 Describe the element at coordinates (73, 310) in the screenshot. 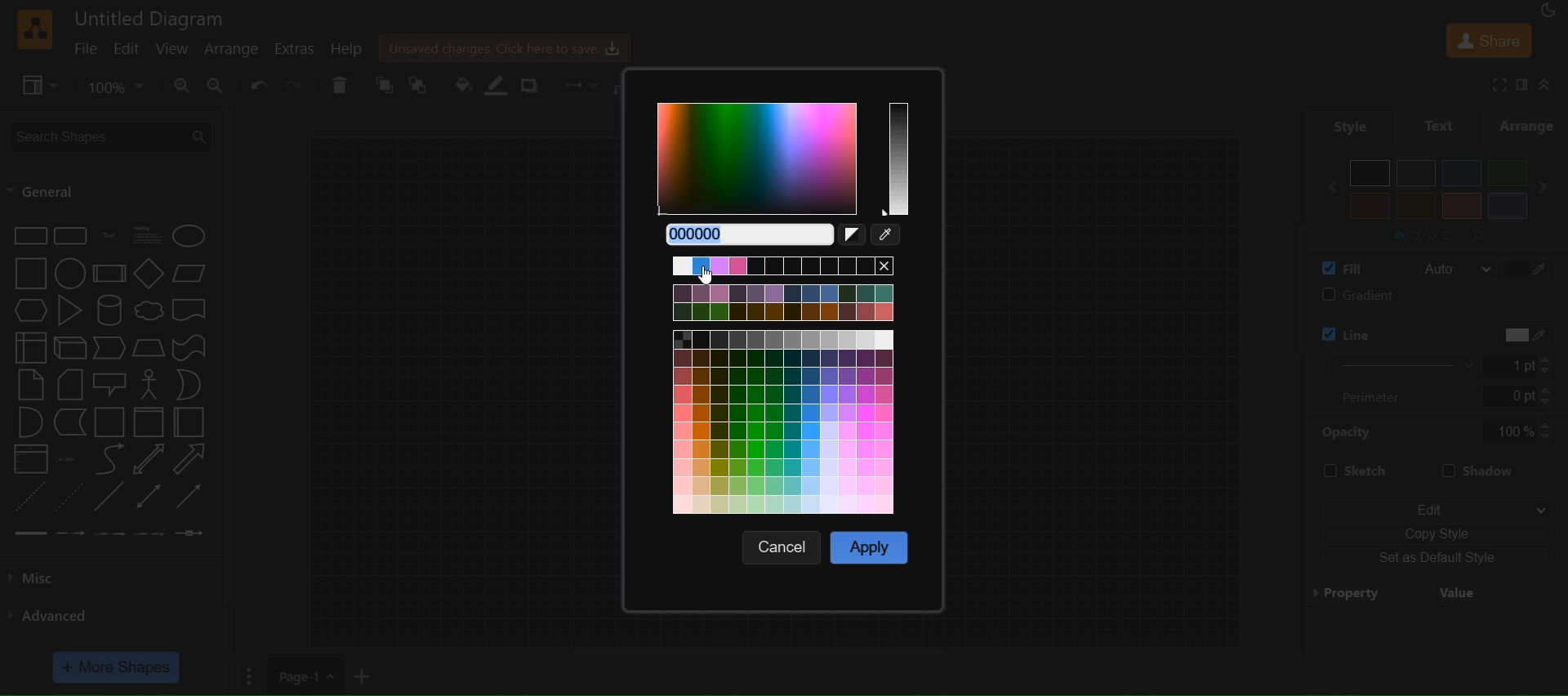

I see `triangle` at that location.